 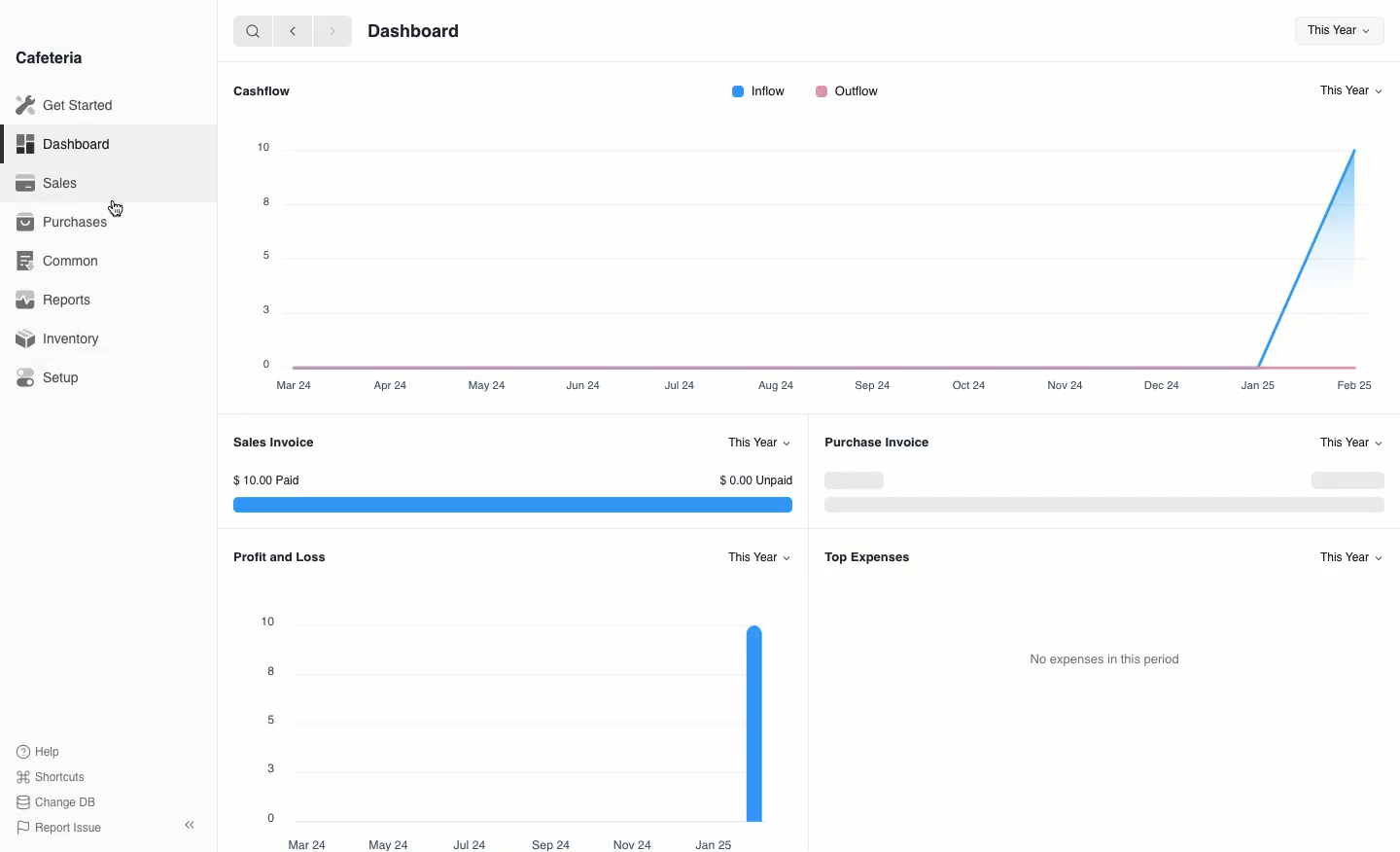 What do you see at coordinates (847, 92) in the screenshot?
I see `Outflow` at bounding box center [847, 92].